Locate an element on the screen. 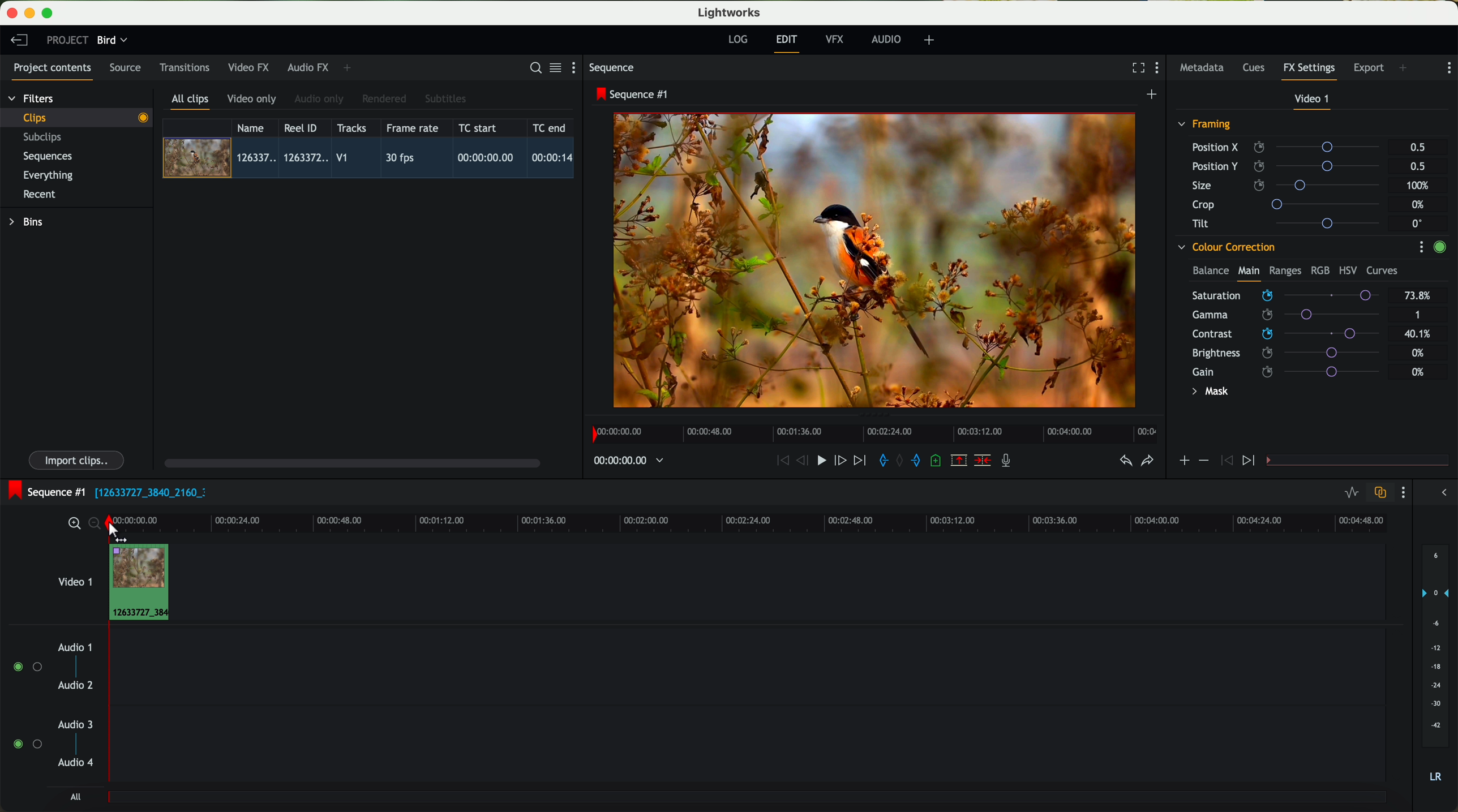  audio output level (d/B) is located at coordinates (1436, 667).